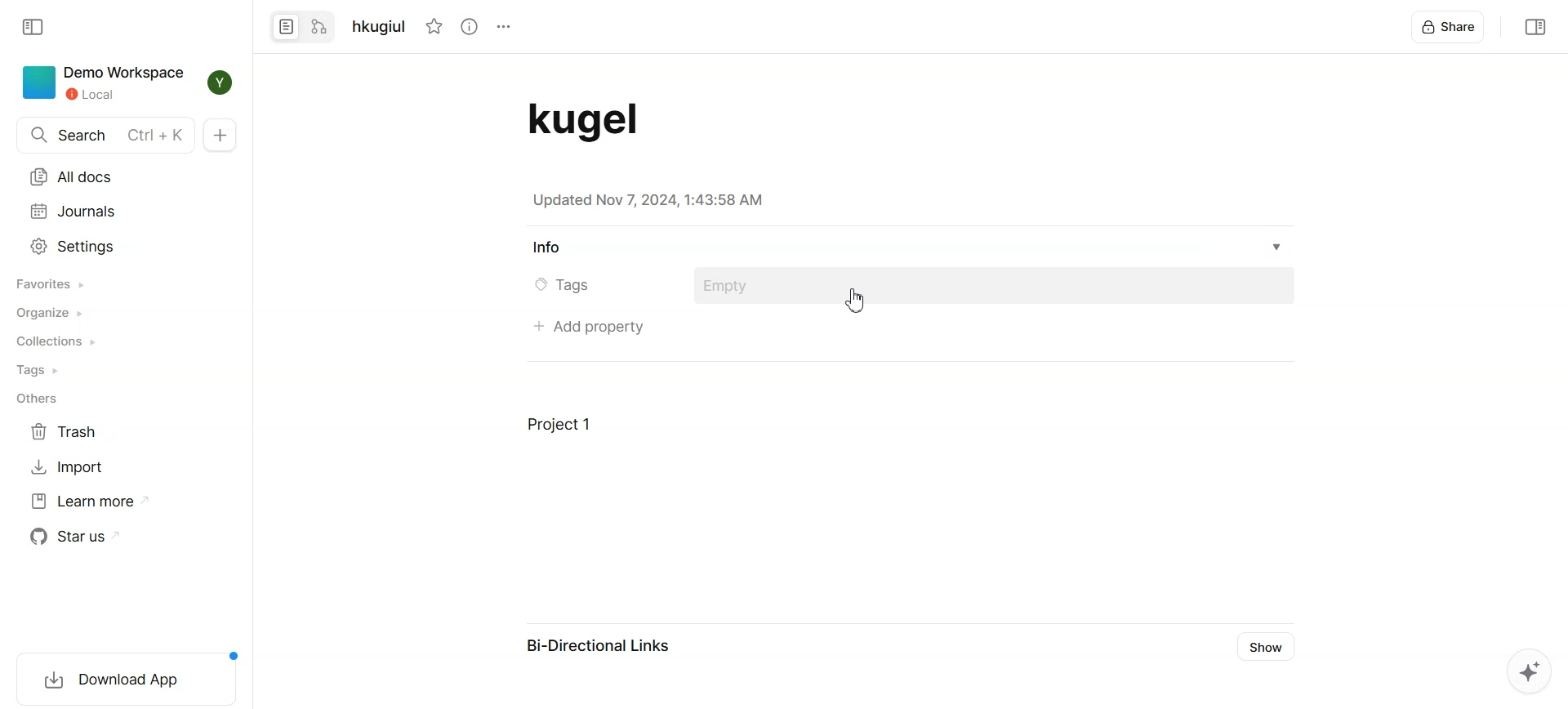 This screenshot has height=709, width=1568. What do you see at coordinates (41, 399) in the screenshot?
I see `Others` at bounding box center [41, 399].